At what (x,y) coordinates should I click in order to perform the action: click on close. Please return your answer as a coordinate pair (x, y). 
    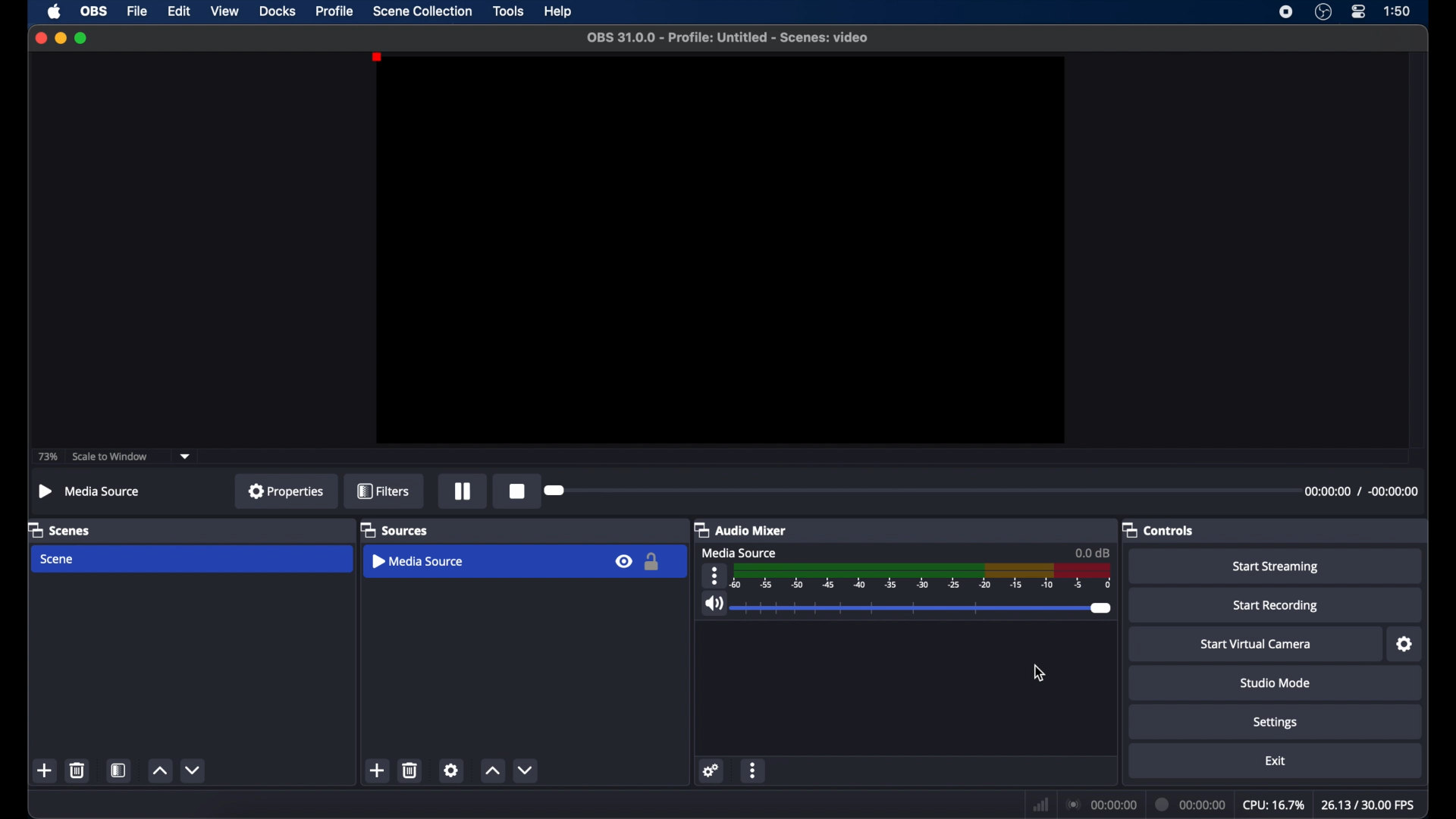
    Looking at the image, I should click on (40, 38).